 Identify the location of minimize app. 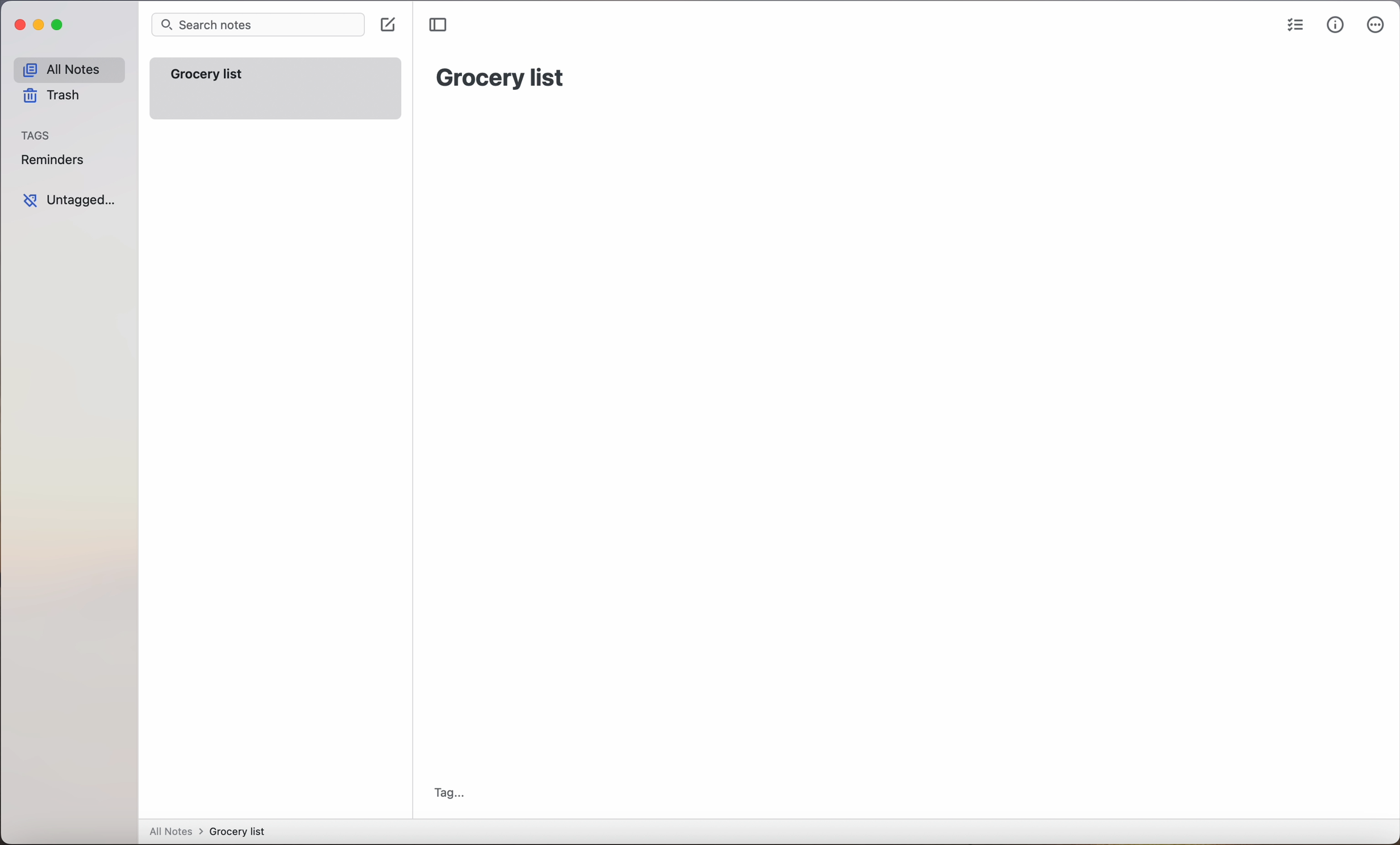
(41, 27).